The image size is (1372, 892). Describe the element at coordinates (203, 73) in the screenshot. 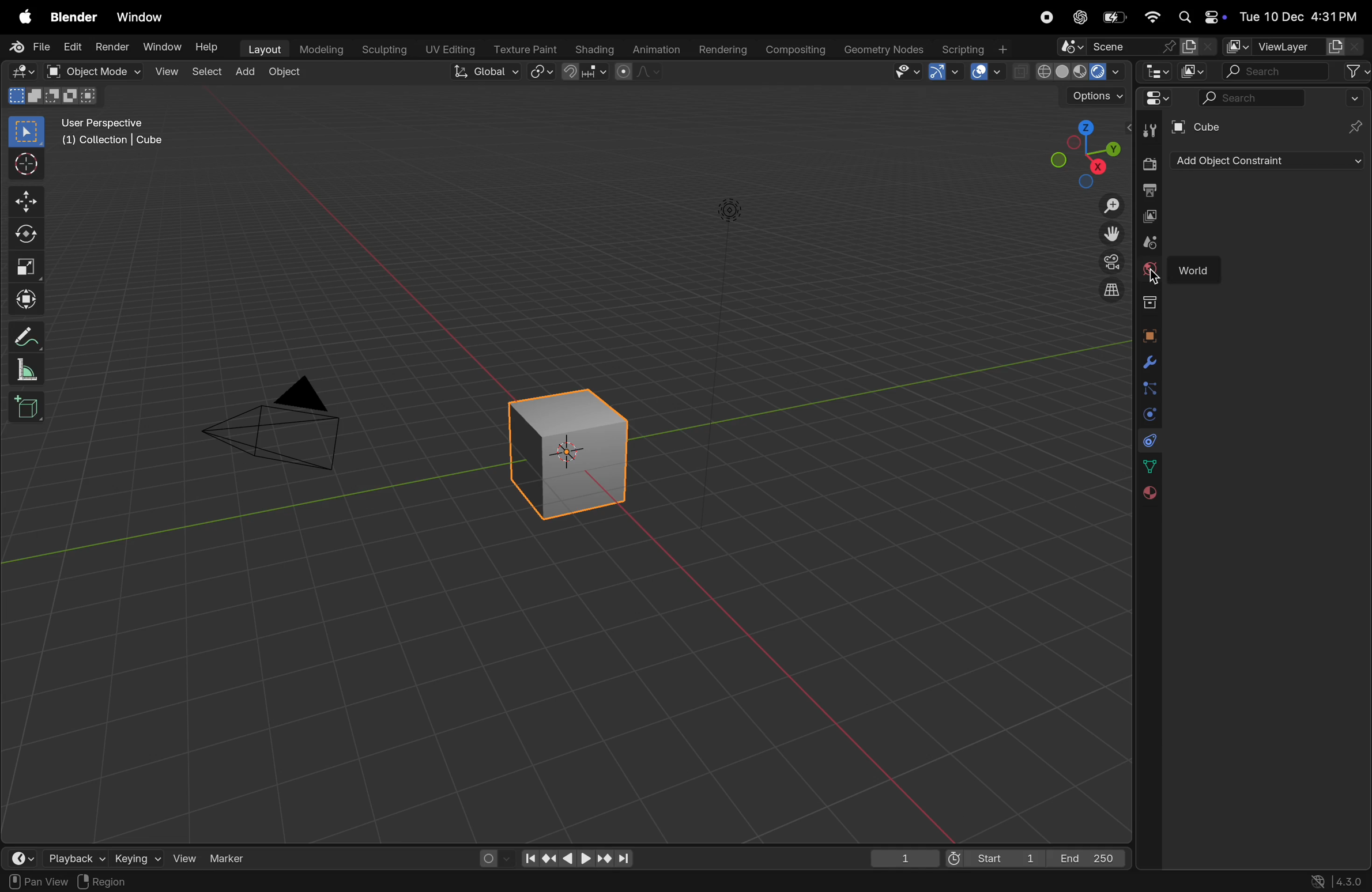

I see `select` at that location.